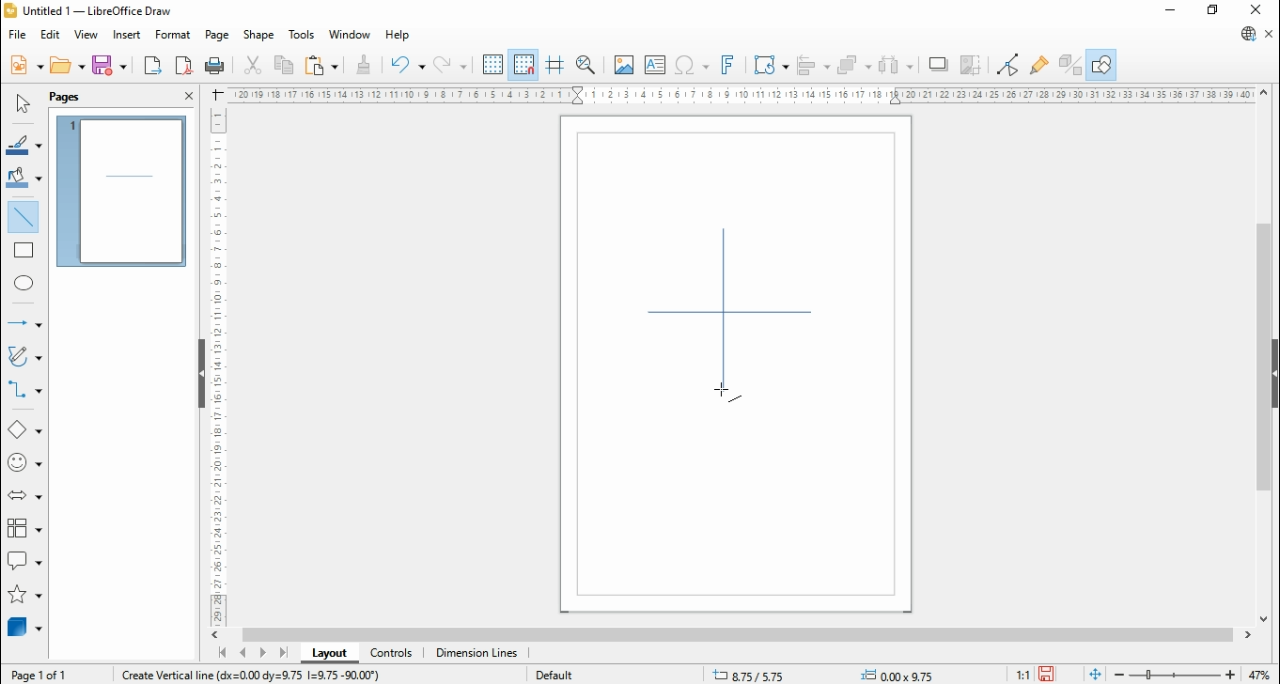 This screenshot has width=1280, height=684. I want to click on align objects, so click(815, 64).